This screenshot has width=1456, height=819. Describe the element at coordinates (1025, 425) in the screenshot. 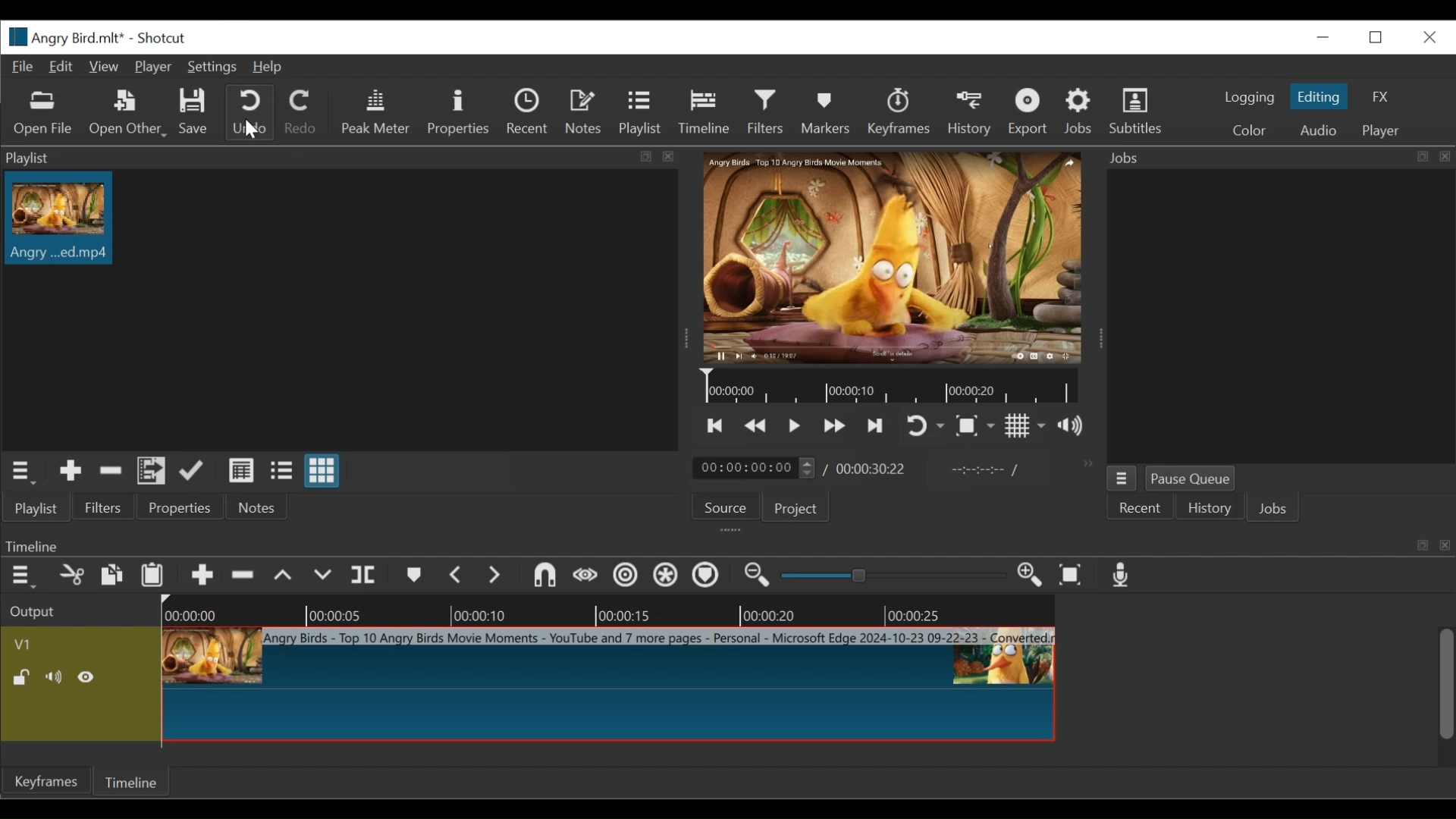

I see `Toggle display grid on the player` at that location.